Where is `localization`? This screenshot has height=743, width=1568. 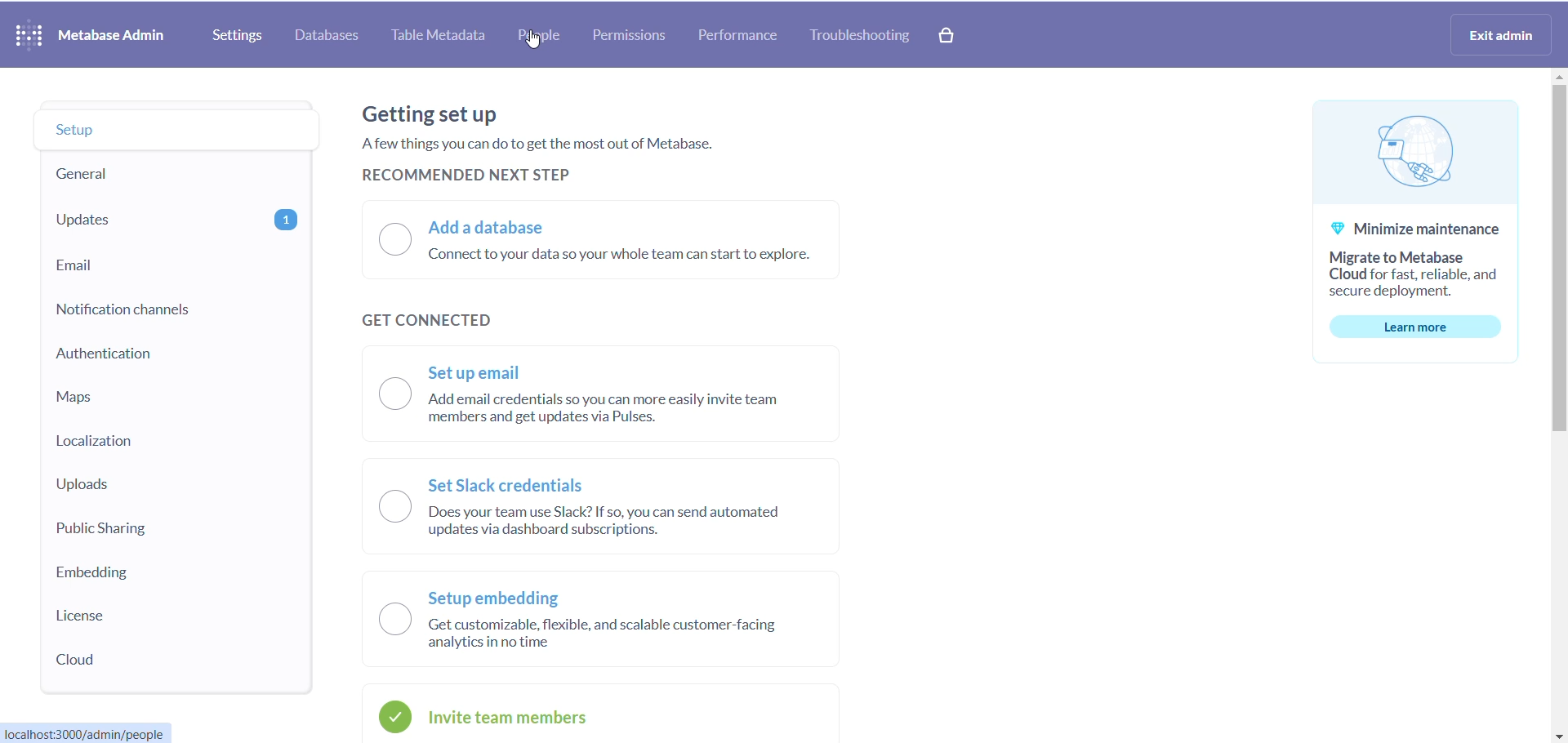
localization is located at coordinates (158, 447).